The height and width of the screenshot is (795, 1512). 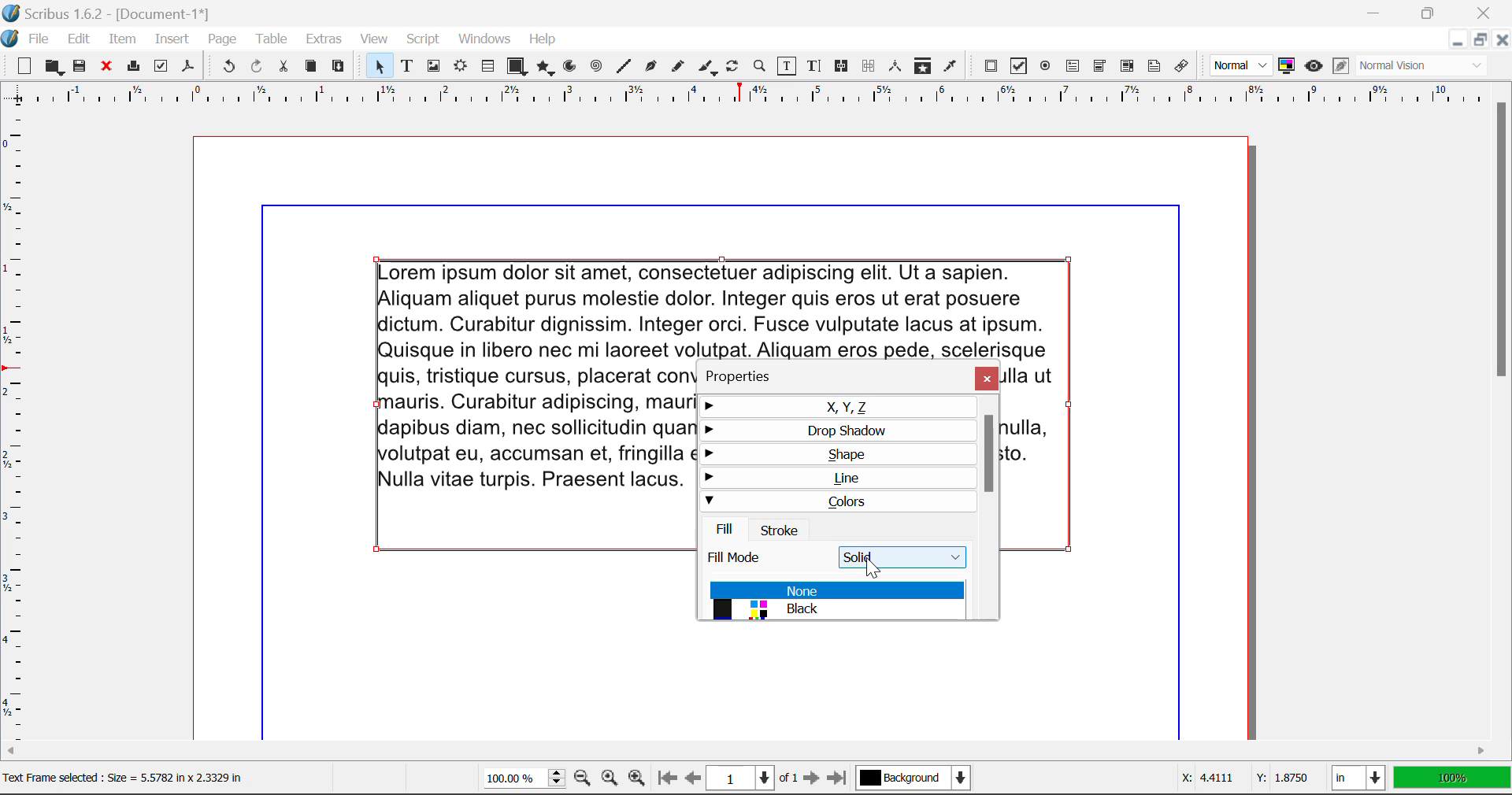 I want to click on Zoom In, so click(x=637, y=780).